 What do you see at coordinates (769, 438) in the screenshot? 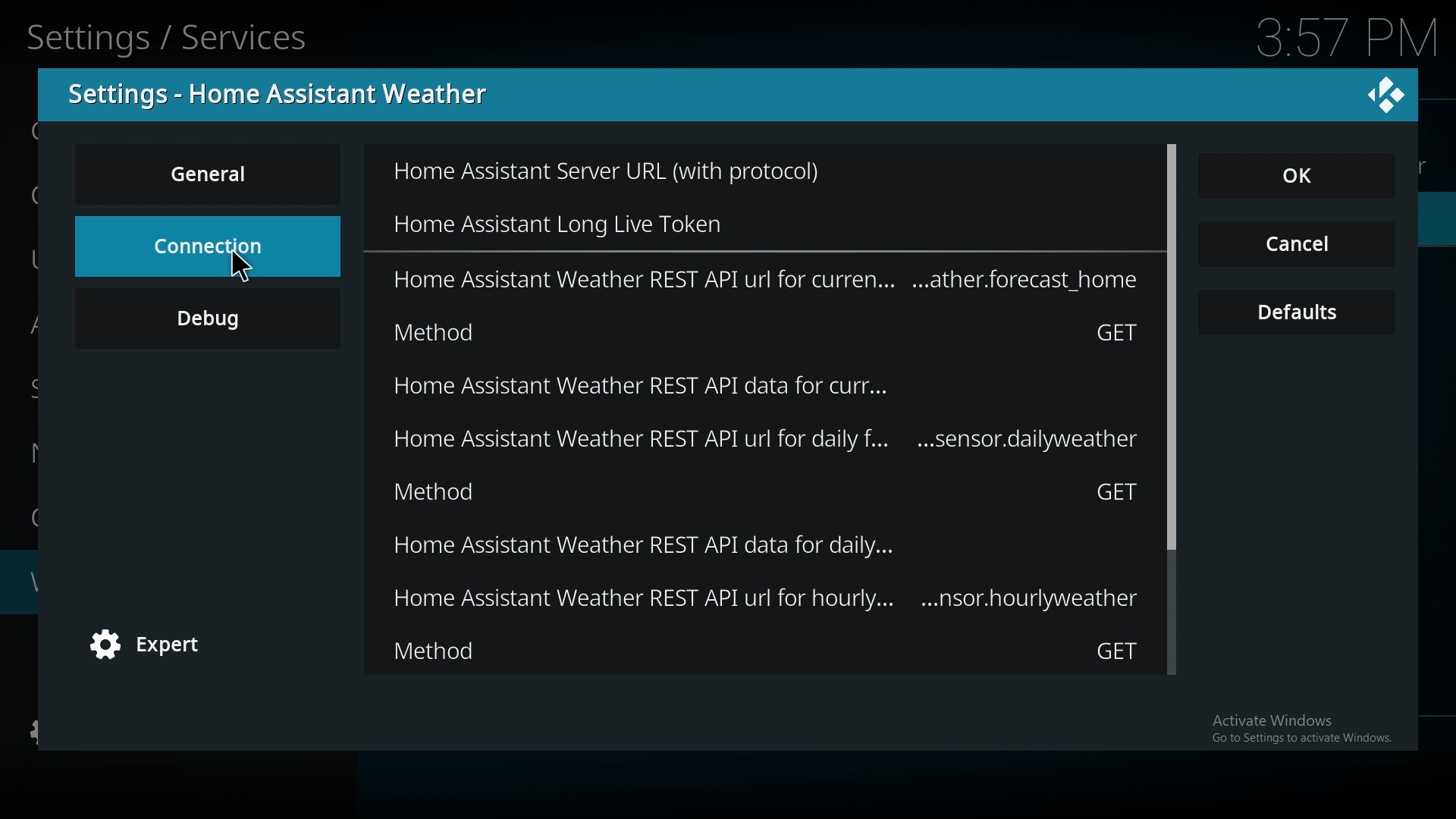
I see `home assistant weather rest api url` at bounding box center [769, 438].